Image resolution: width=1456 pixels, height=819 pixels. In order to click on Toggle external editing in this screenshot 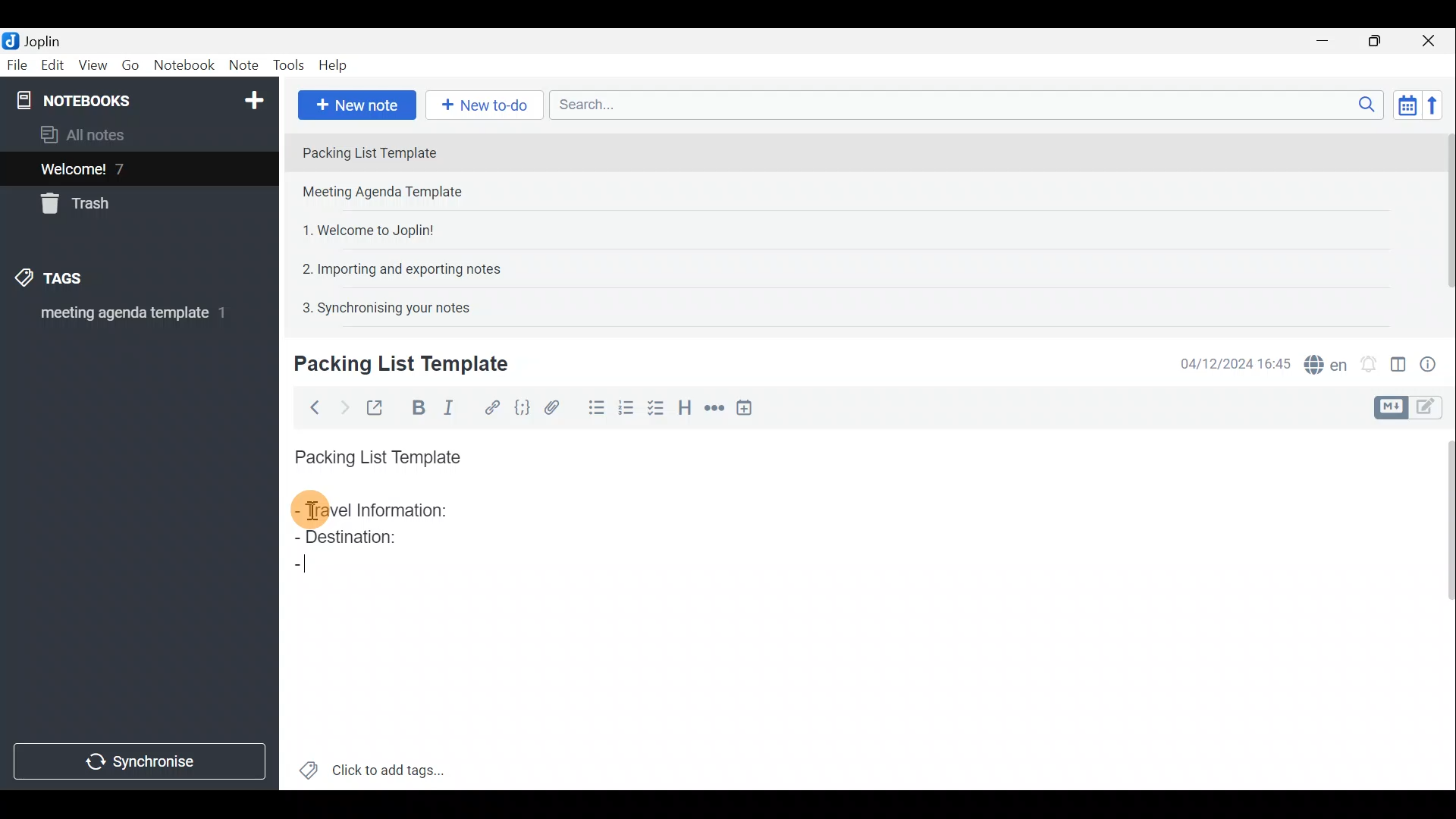, I will do `click(376, 406)`.